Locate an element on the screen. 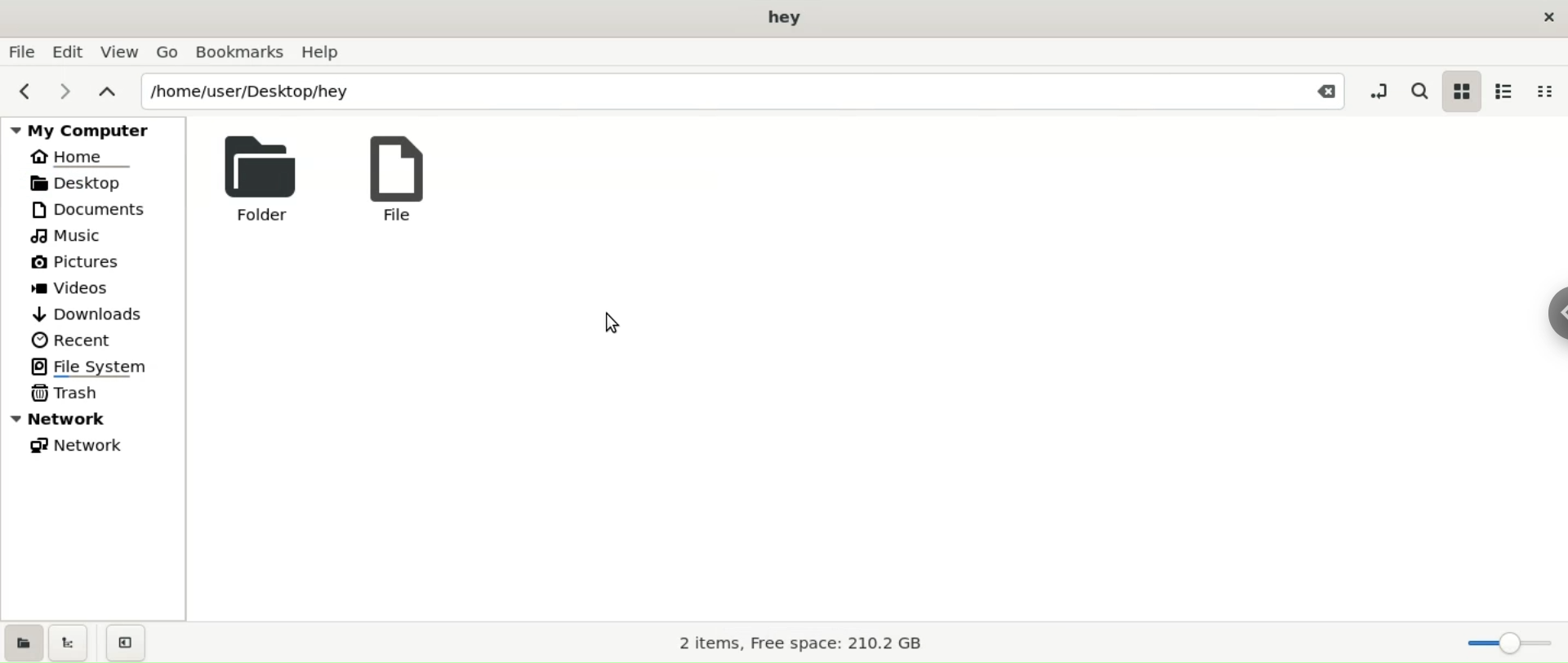 The width and height of the screenshot is (1568, 663). help is located at coordinates (329, 54).